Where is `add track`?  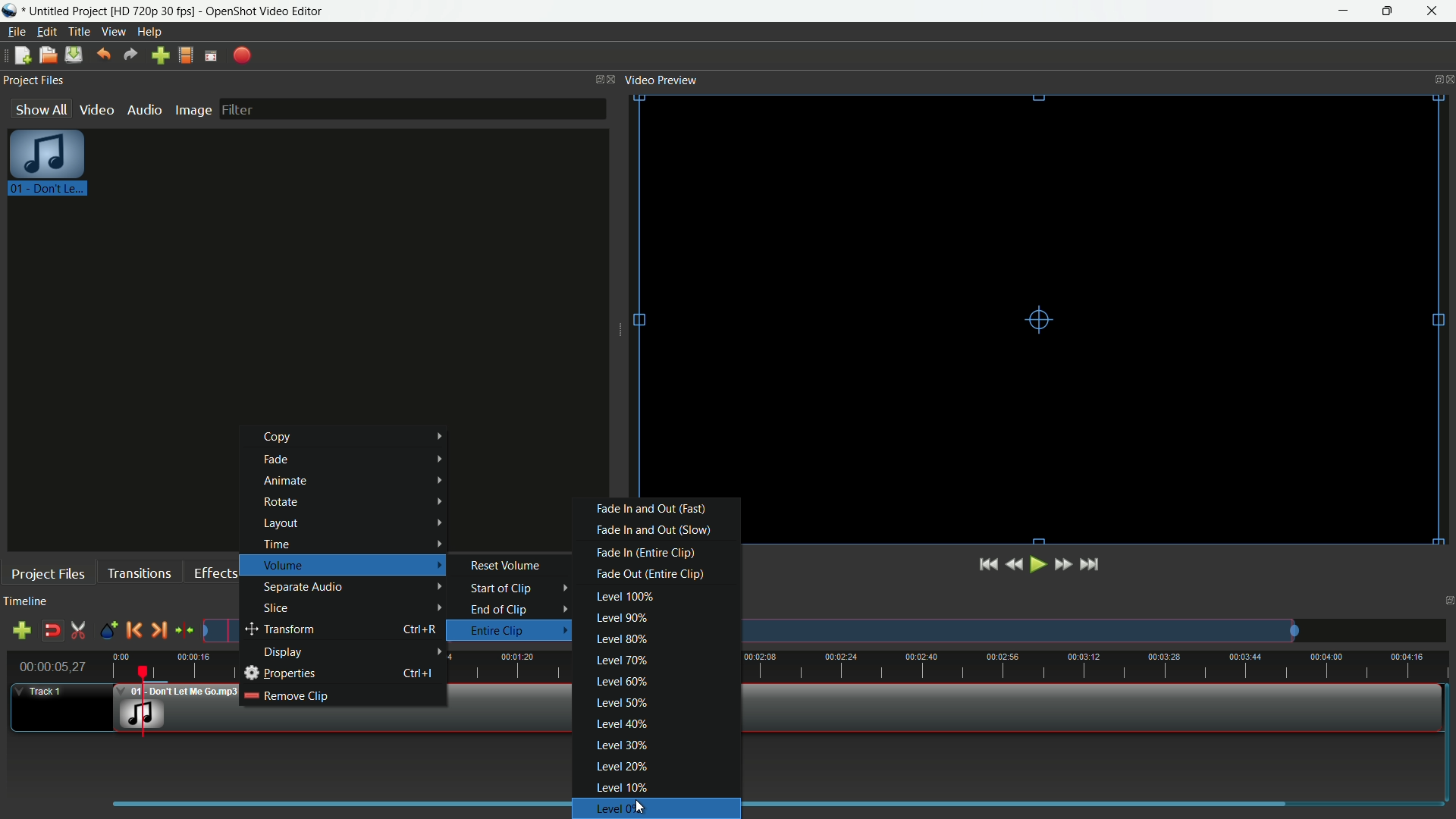
add track is located at coordinates (21, 630).